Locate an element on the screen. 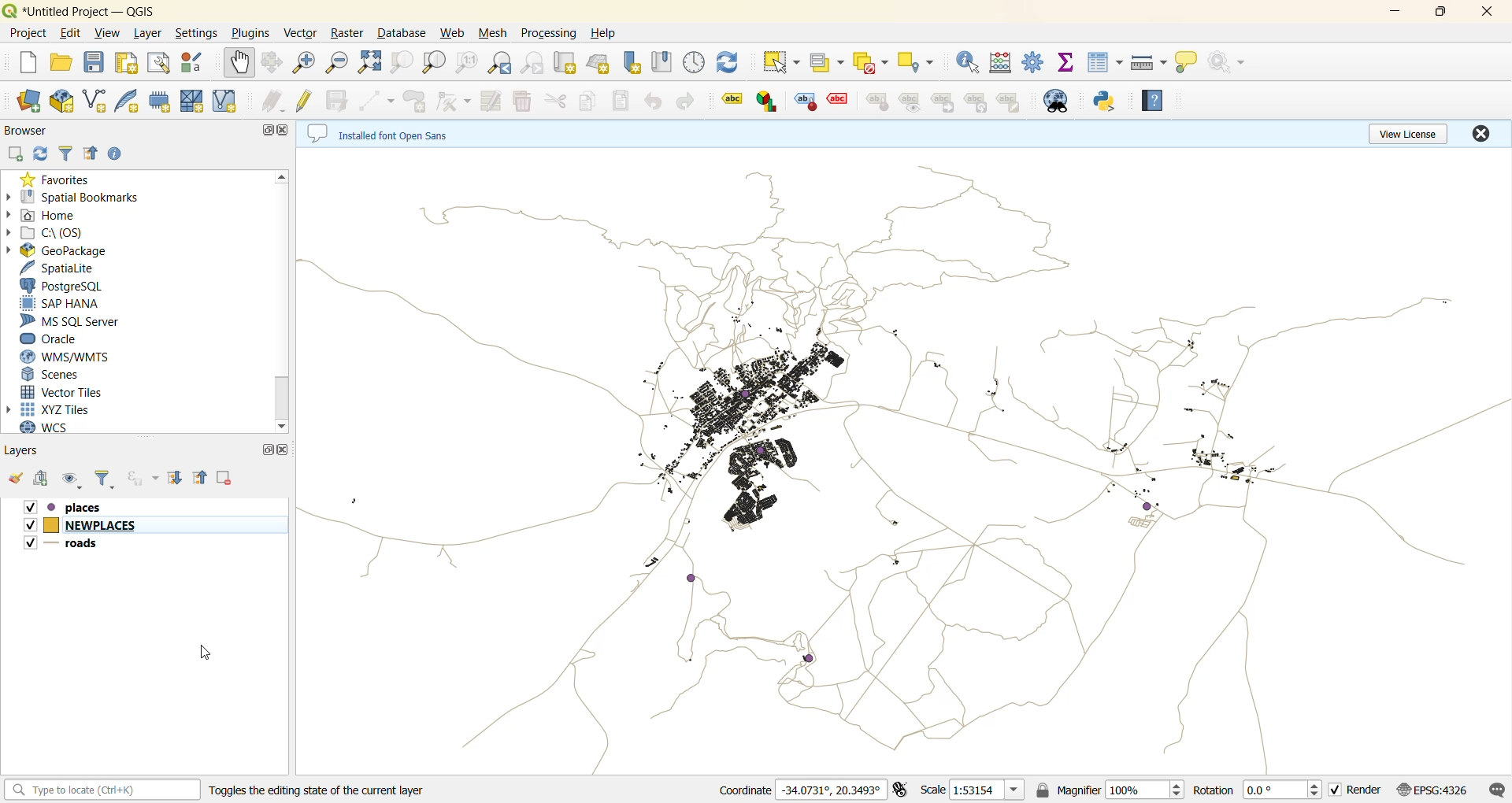 The height and width of the screenshot is (803, 1512). plugins is located at coordinates (250, 31).